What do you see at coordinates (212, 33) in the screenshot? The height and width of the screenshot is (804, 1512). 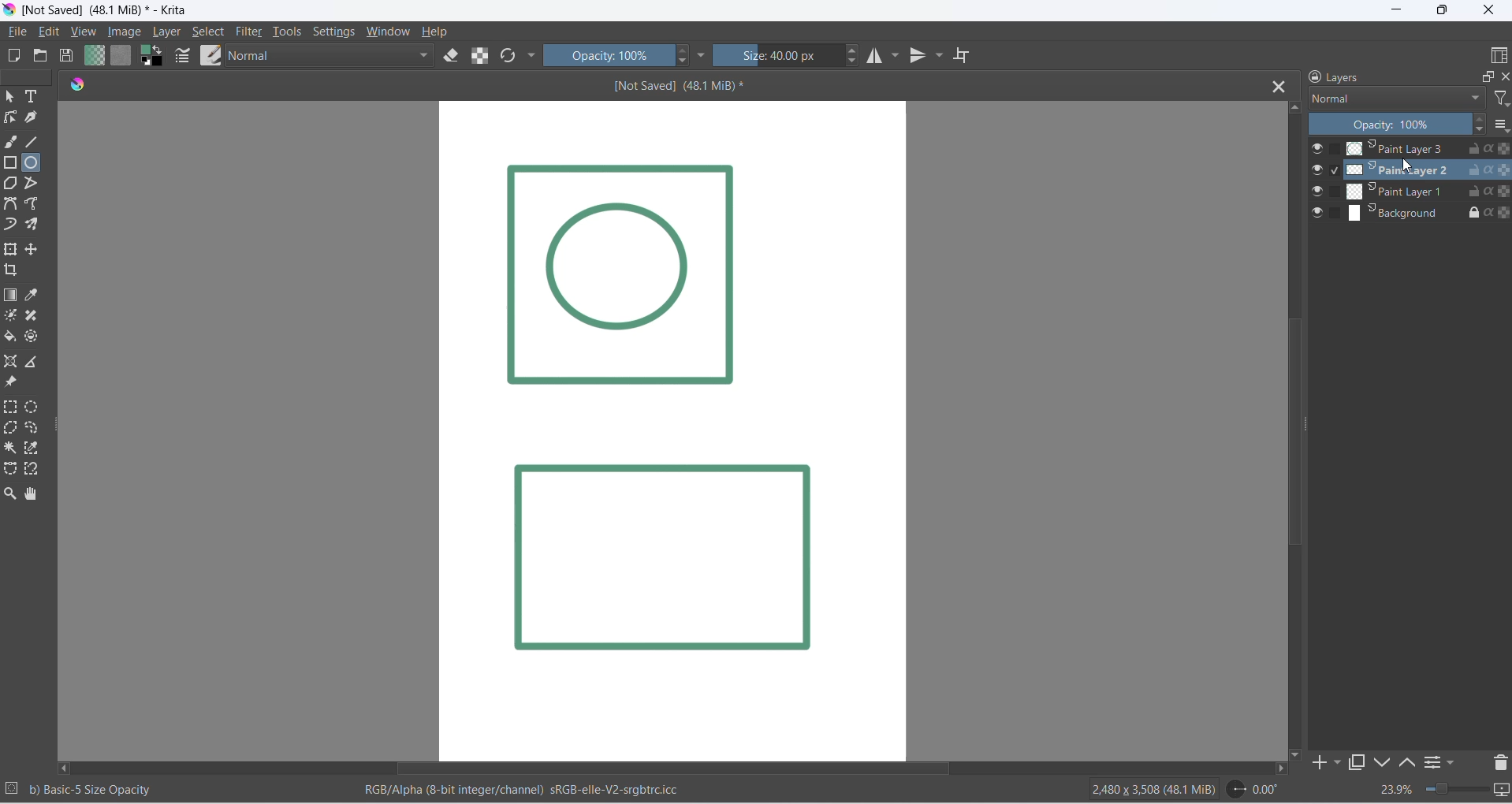 I see `select` at bounding box center [212, 33].